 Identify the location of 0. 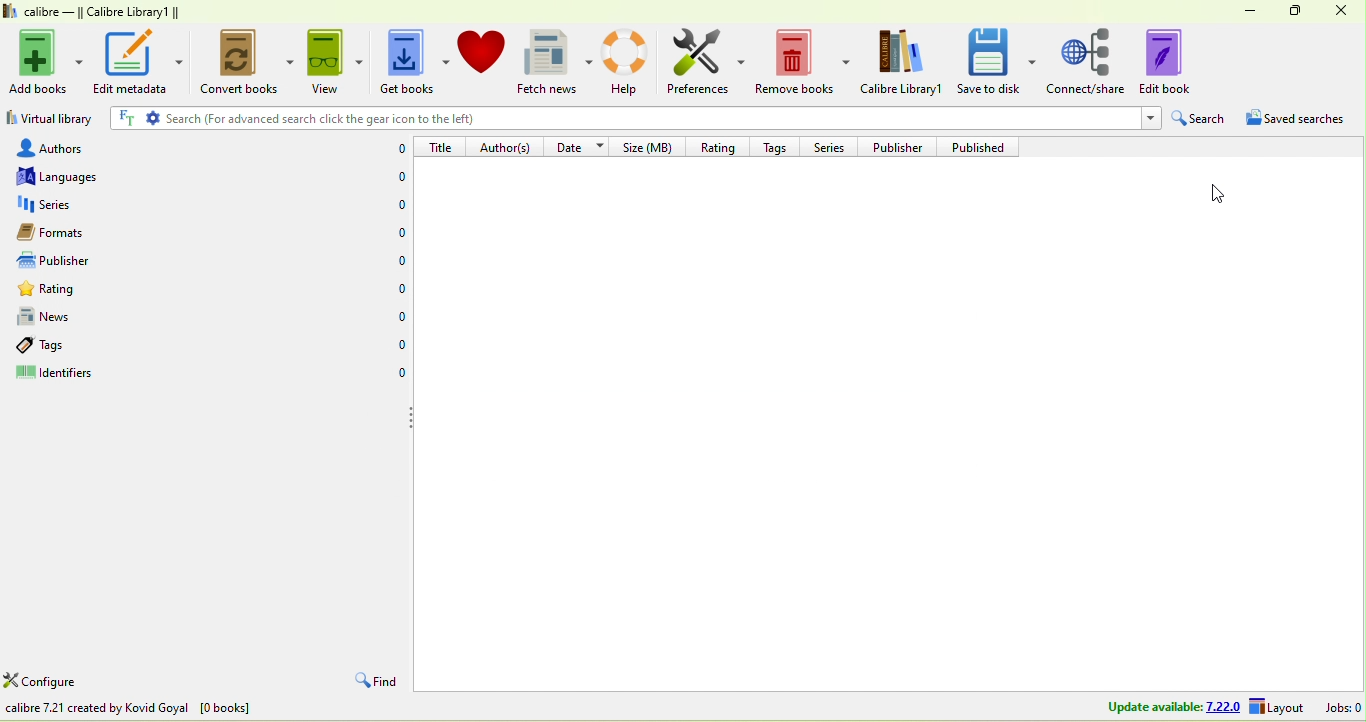
(397, 375).